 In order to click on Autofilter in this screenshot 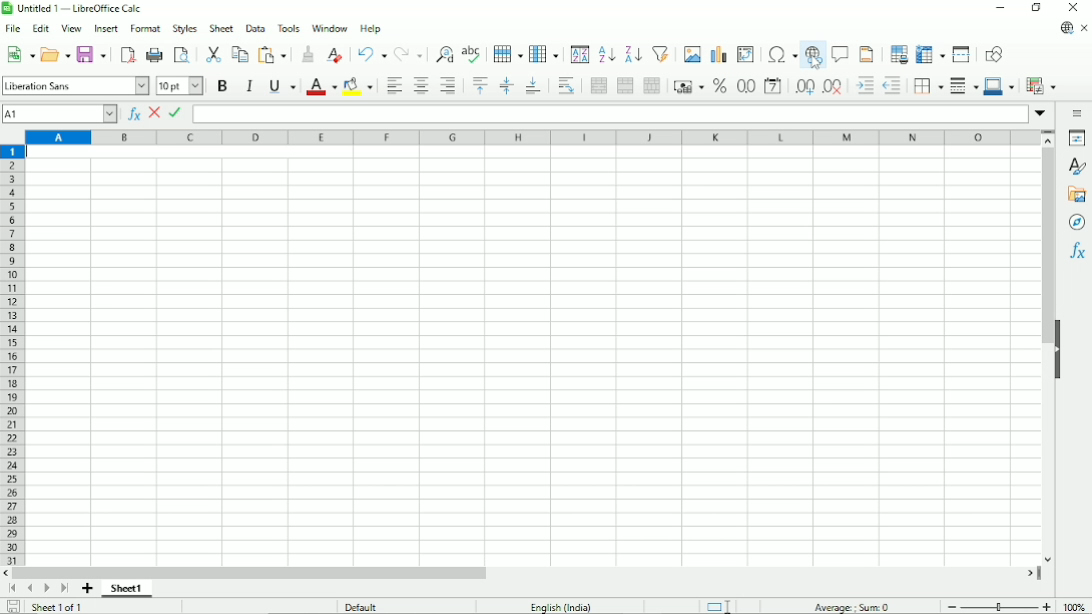, I will do `click(661, 53)`.